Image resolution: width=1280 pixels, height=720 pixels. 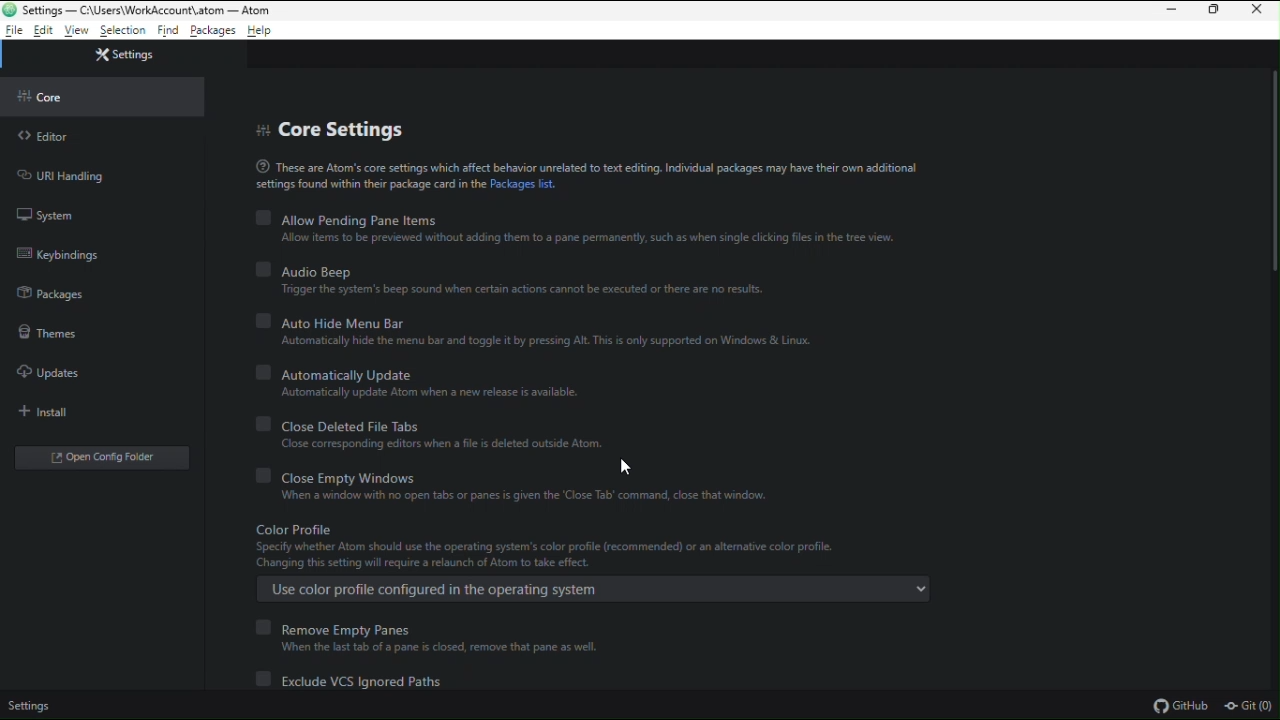 What do you see at coordinates (14, 31) in the screenshot?
I see `File` at bounding box center [14, 31].